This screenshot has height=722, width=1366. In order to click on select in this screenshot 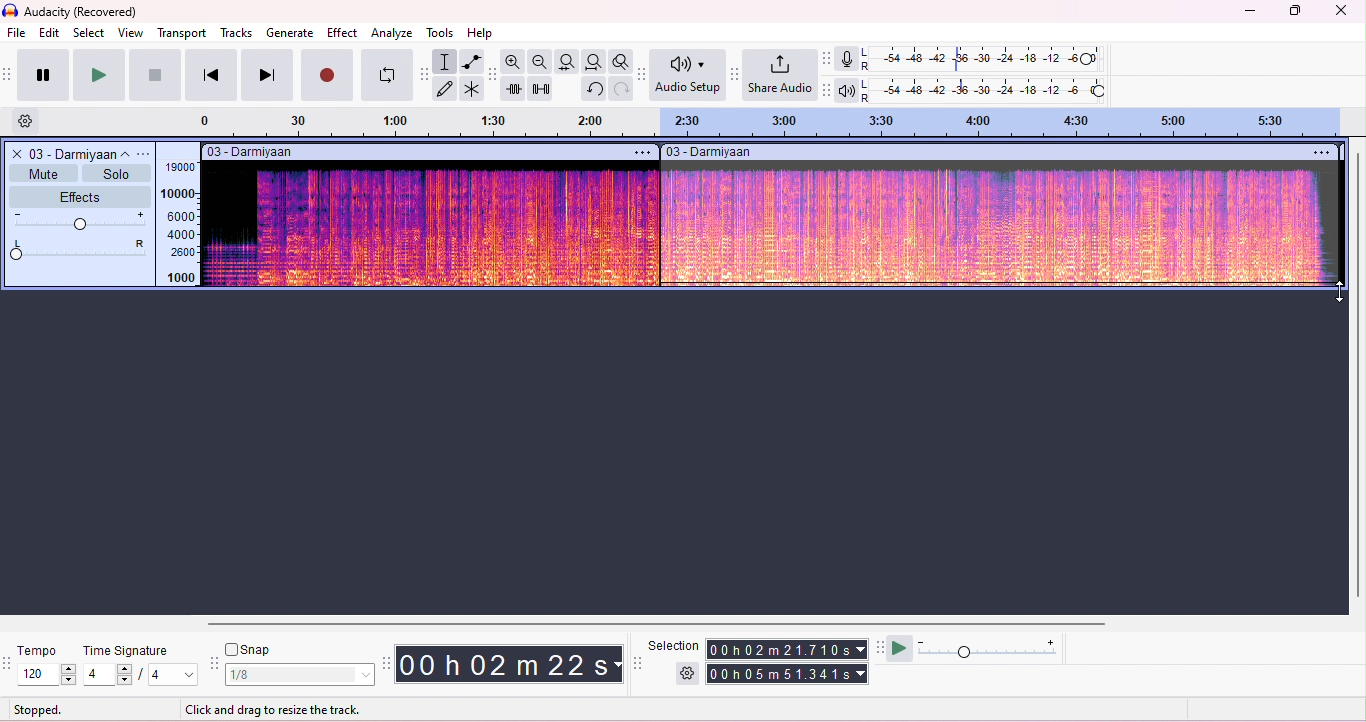, I will do `click(90, 32)`.